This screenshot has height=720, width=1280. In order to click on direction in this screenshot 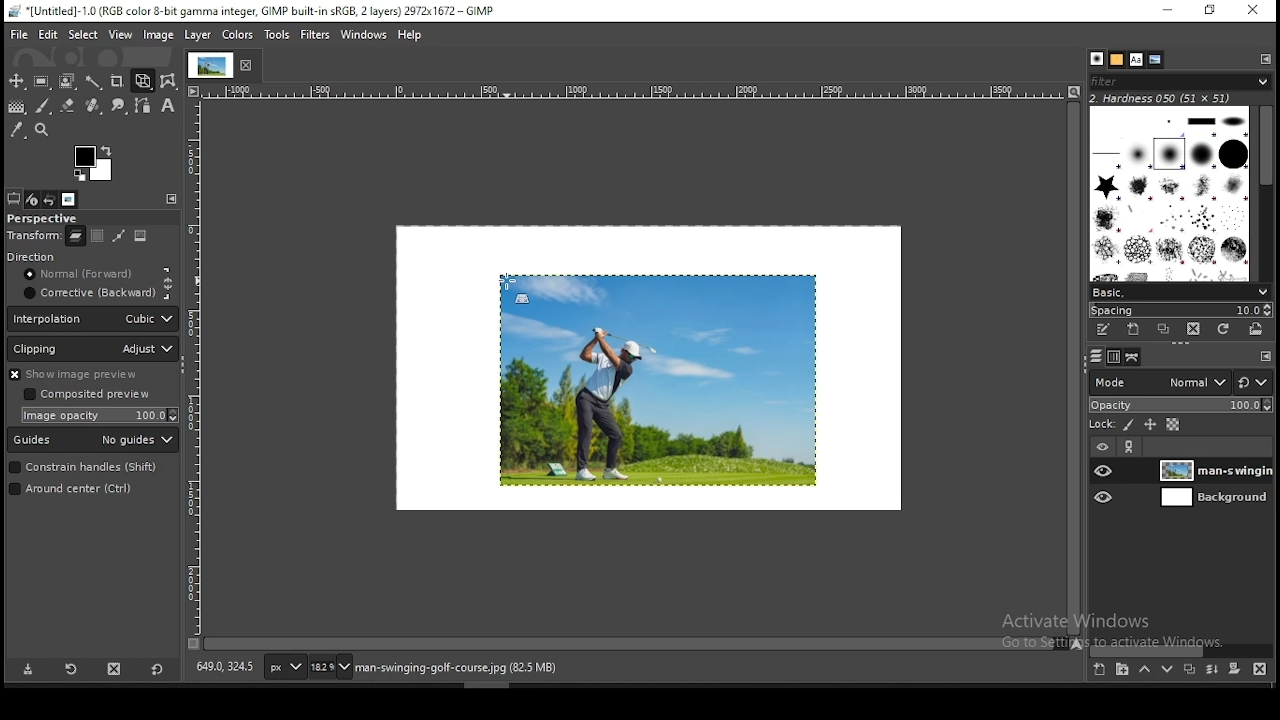, I will do `click(57, 258)`.